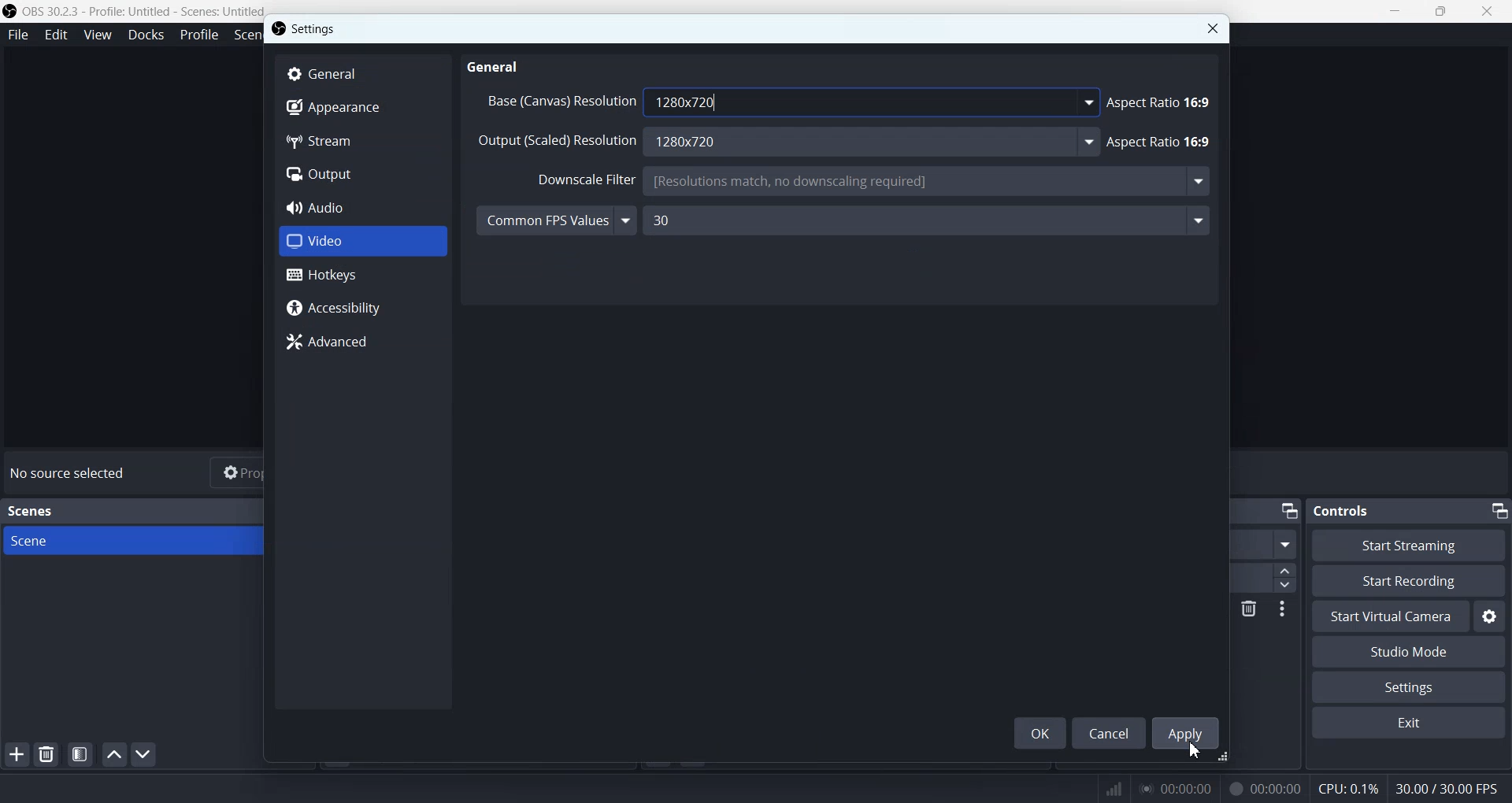 This screenshot has height=803, width=1512. Describe the element at coordinates (1188, 731) in the screenshot. I see `Apply` at that location.